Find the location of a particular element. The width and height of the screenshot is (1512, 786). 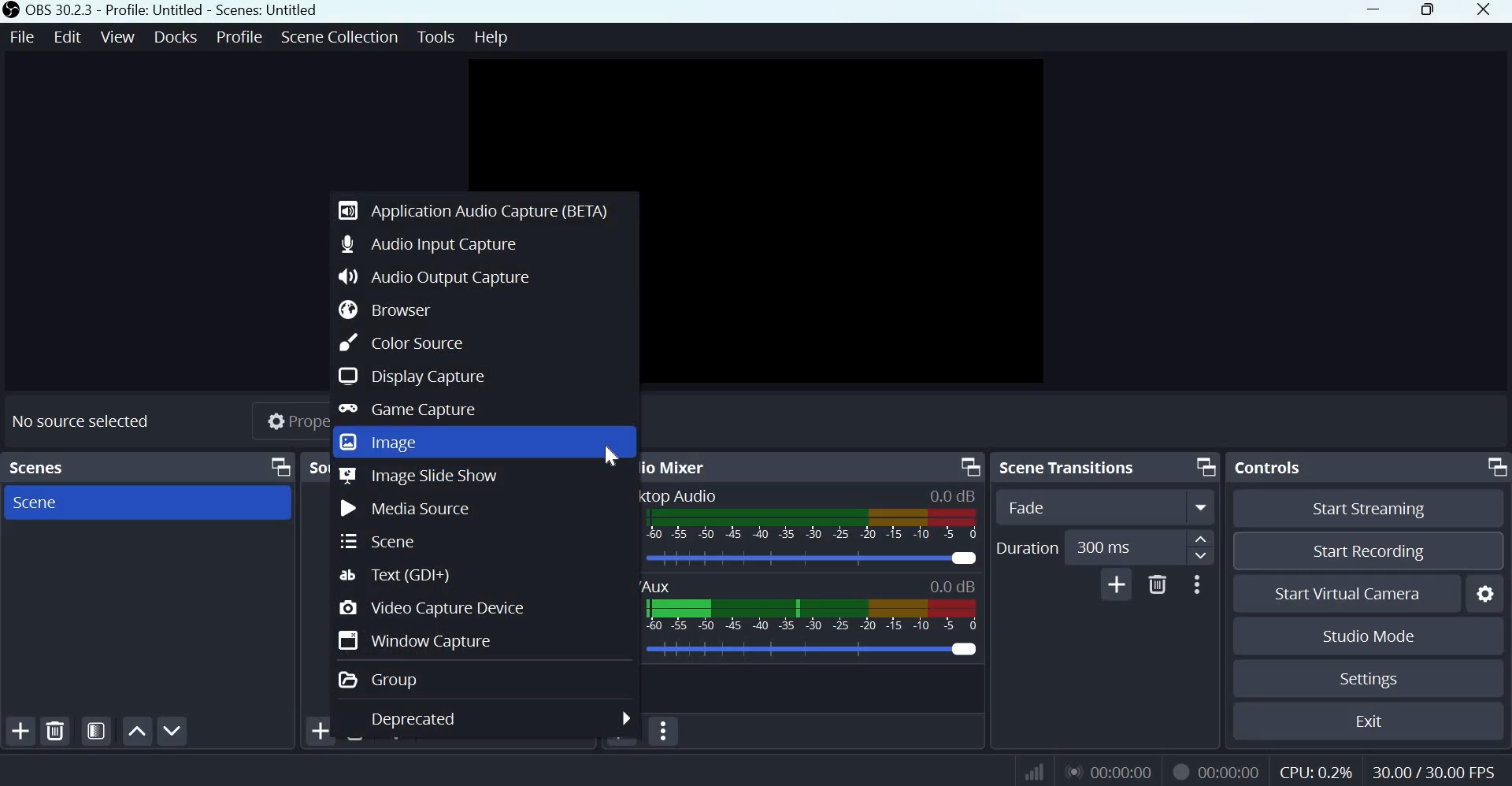

cursor is located at coordinates (610, 456).